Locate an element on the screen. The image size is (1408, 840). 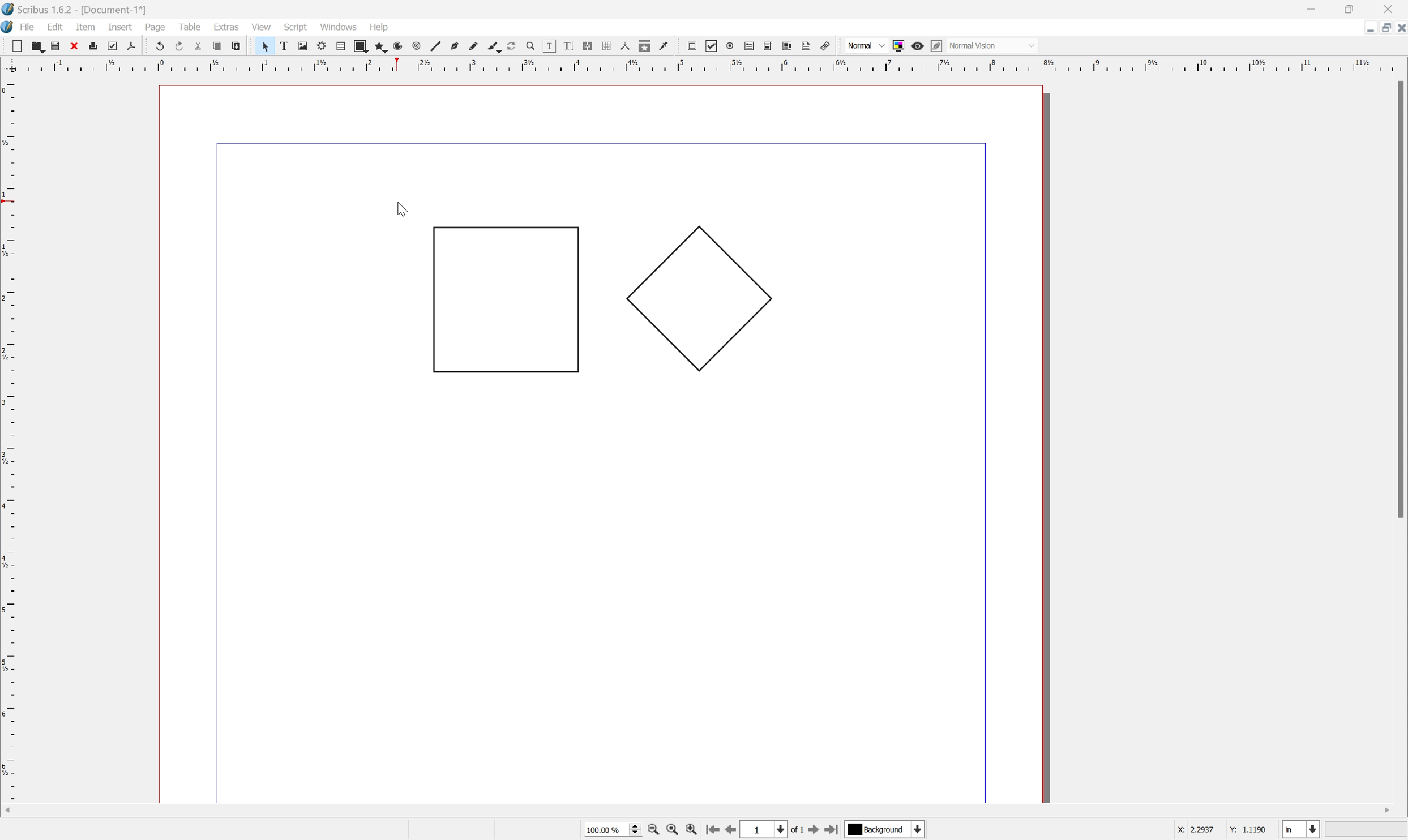
Coordinated is located at coordinates (1218, 829).